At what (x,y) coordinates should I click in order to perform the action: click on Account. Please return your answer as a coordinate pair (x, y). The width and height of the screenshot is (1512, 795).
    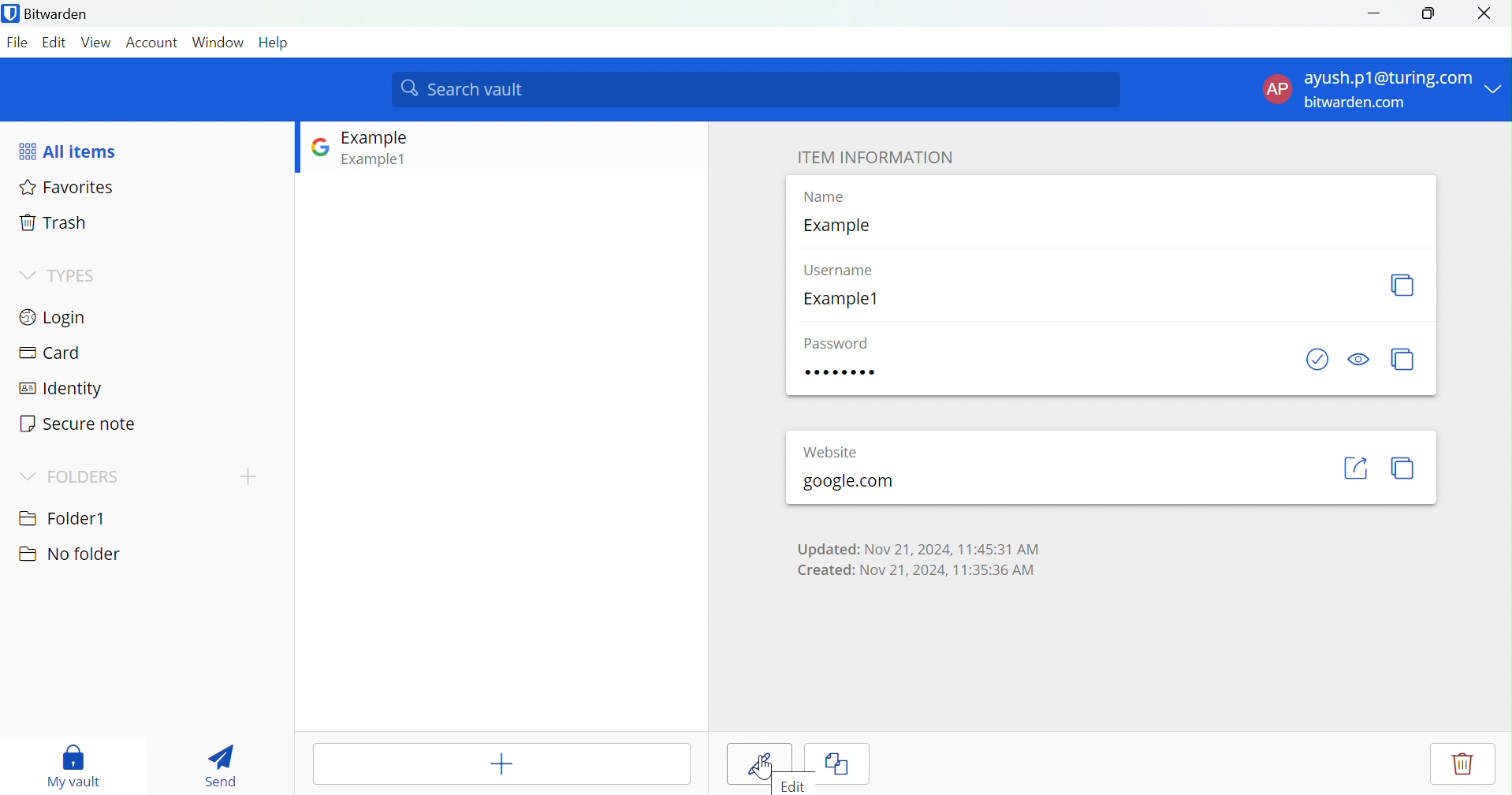
    Looking at the image, I should click on (153, 43).